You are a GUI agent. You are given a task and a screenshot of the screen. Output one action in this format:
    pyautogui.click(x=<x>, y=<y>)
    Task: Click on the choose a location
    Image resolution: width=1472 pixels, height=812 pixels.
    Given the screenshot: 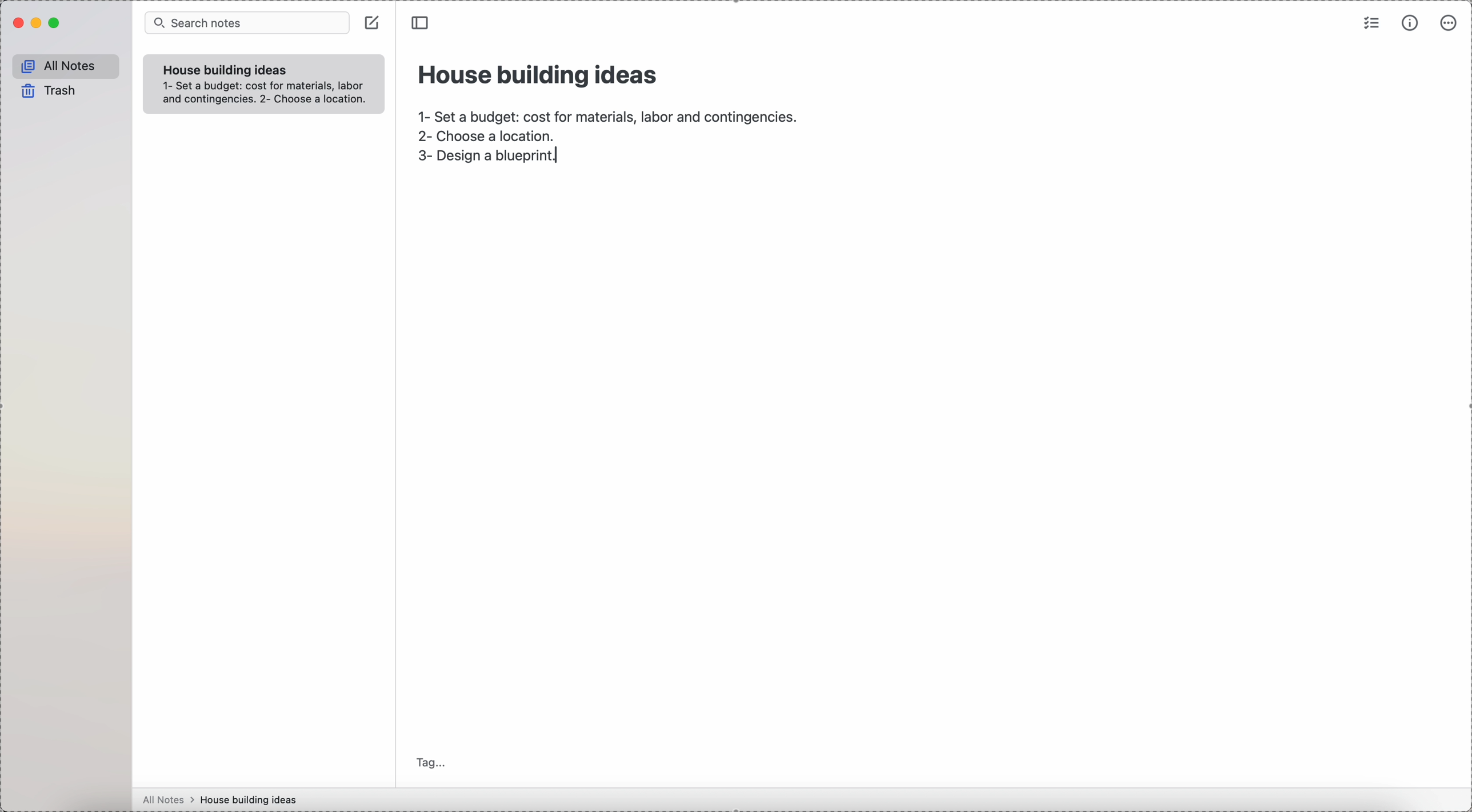 What is the action you would take?
    pyautogui.click(x=491, y=137)
    